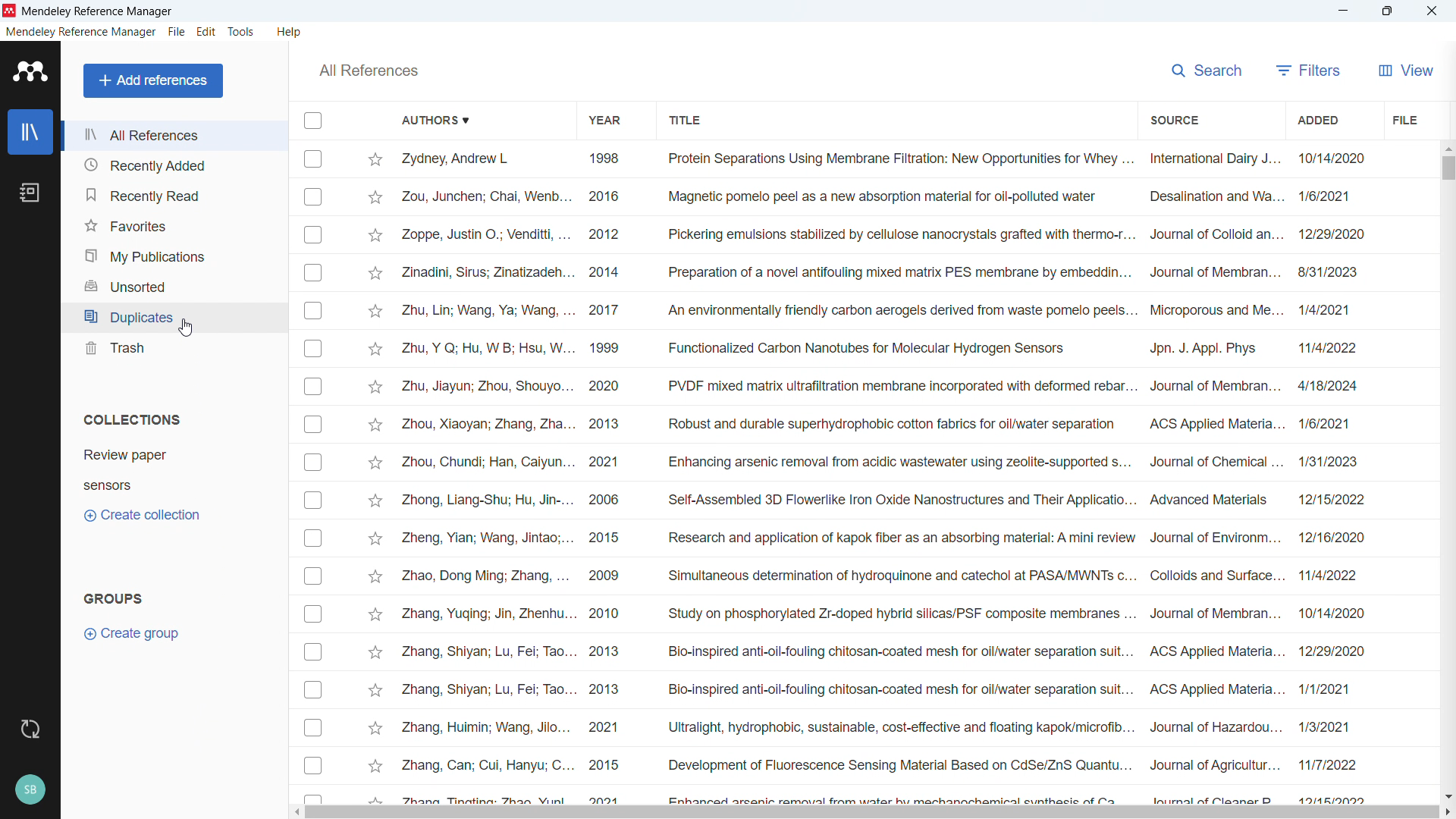 The height and width of the screenshot is (819, 1456). I want to click on Duplicates , so click(174, 317).